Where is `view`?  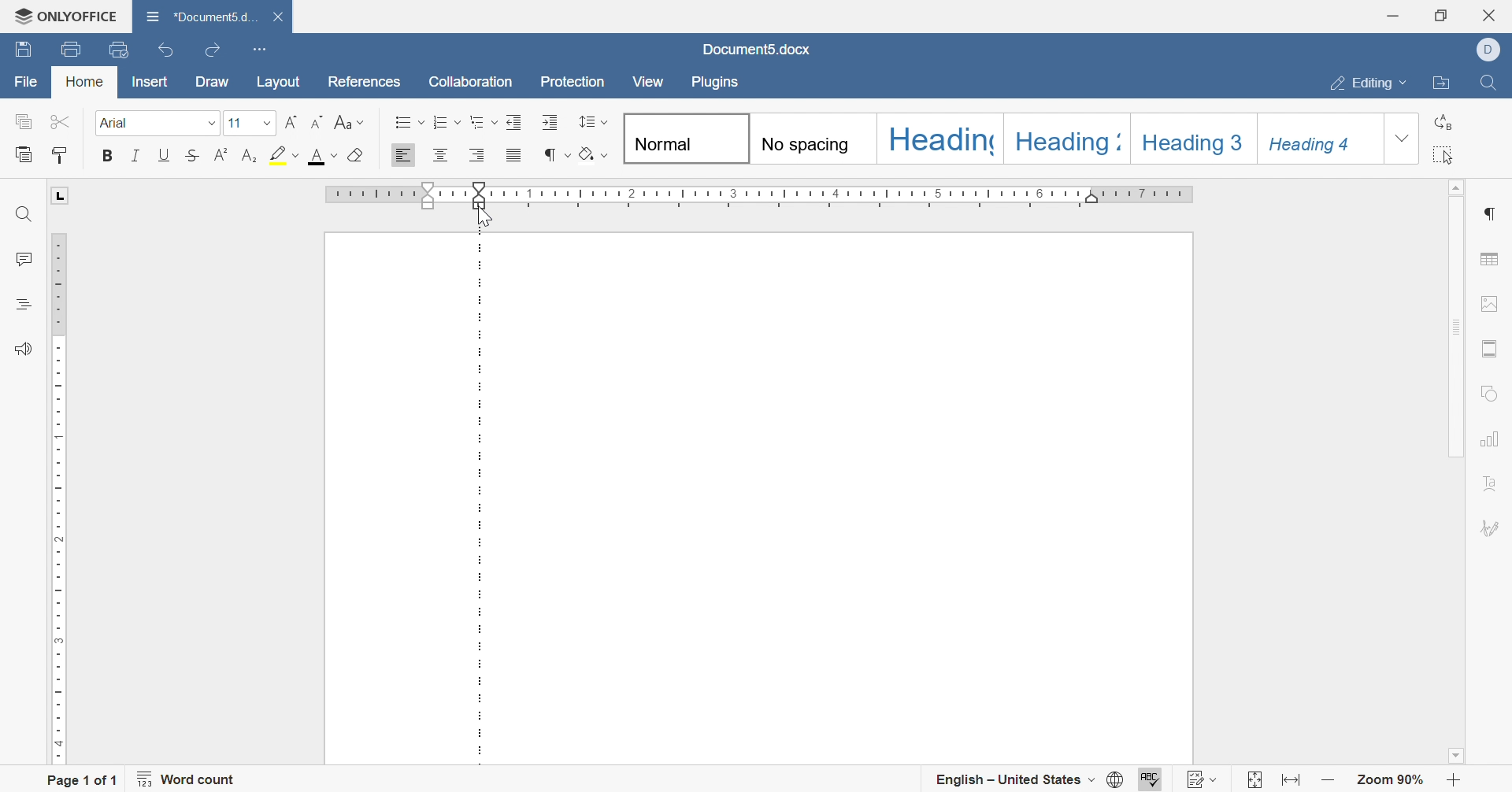 view is located at coordinates (650, 82).